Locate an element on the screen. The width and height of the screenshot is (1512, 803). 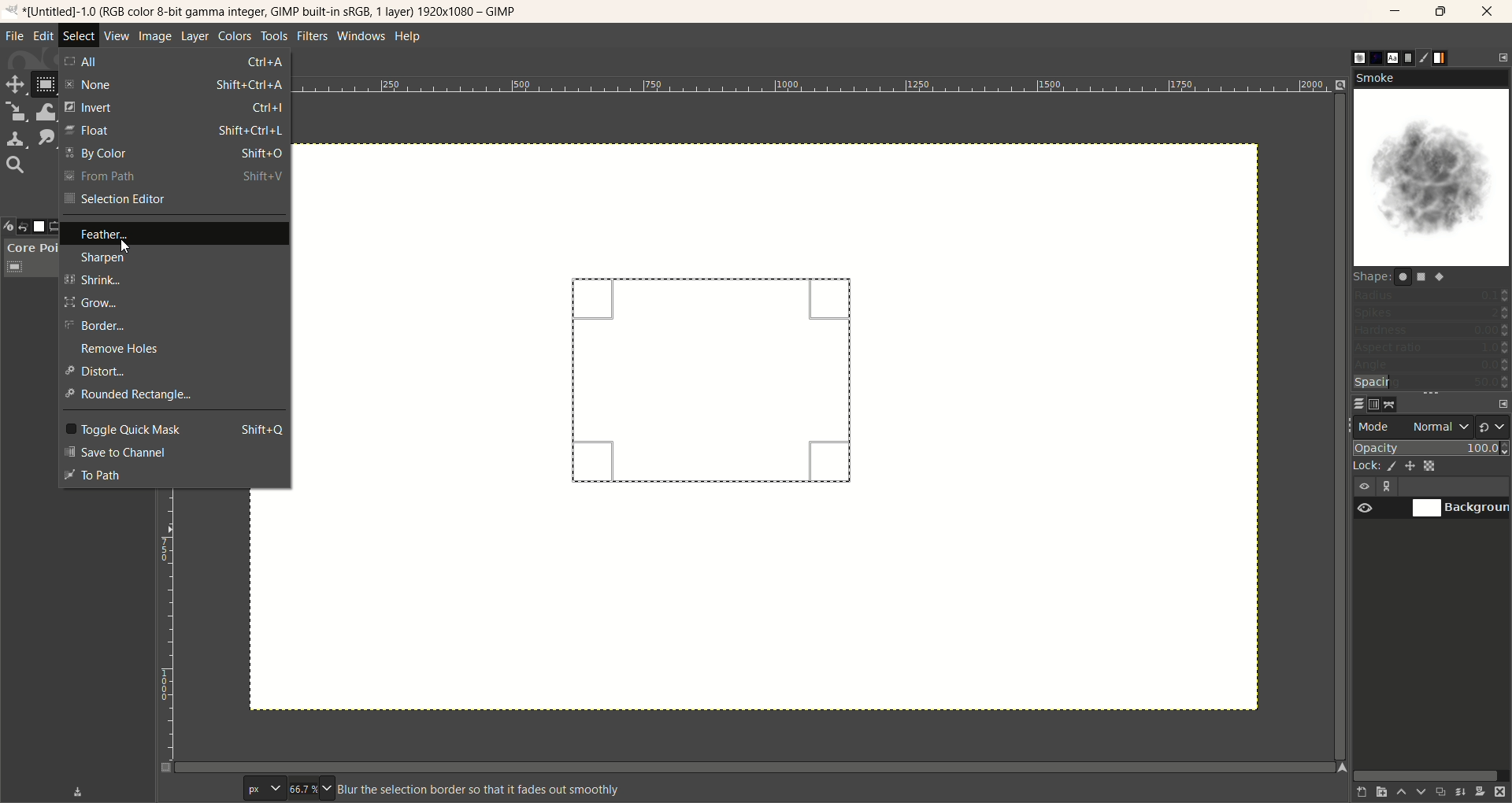
visibility is located at coordinates (1365, 487).